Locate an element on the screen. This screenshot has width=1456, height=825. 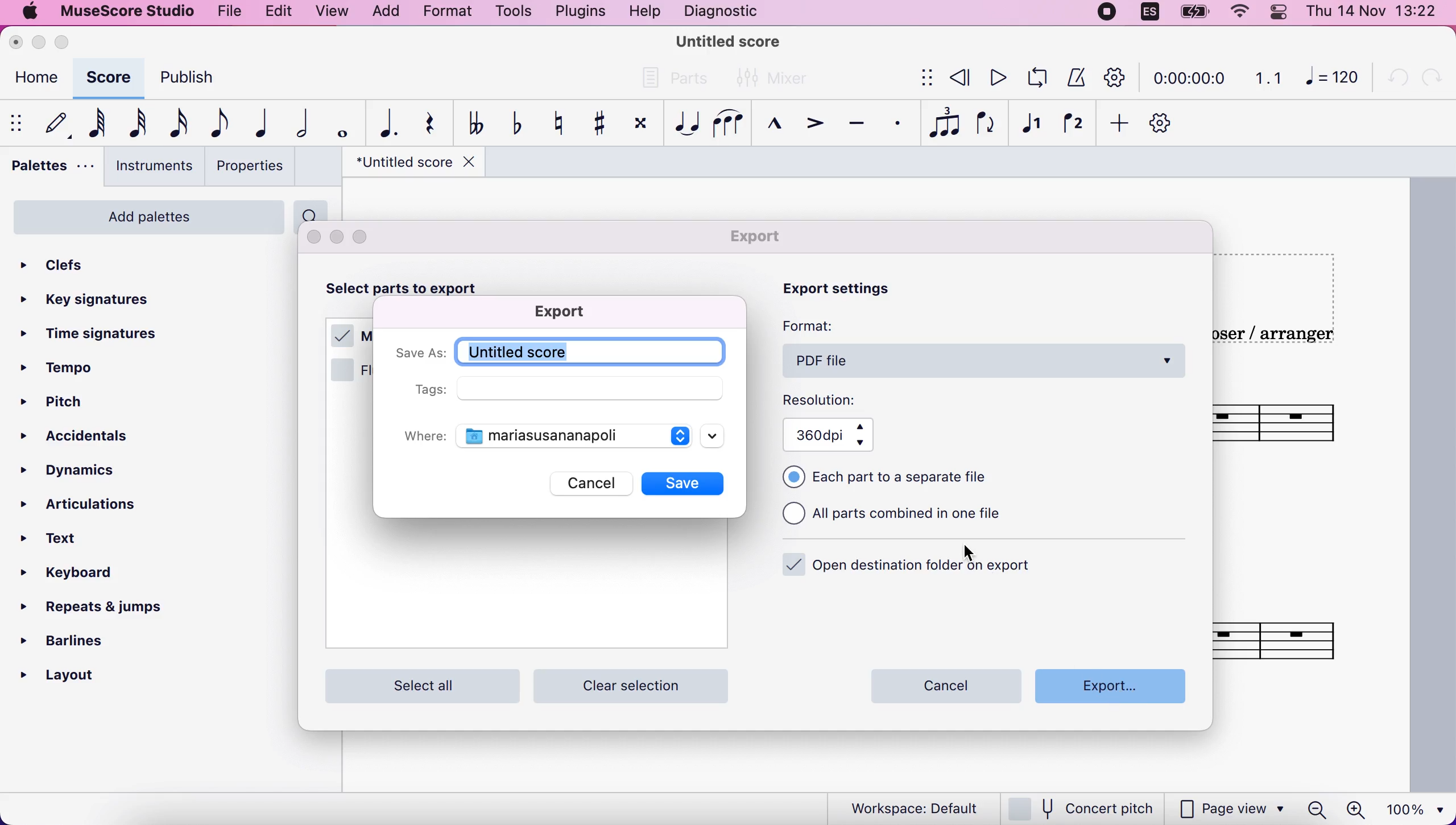
scroll is located at coordinates (715, 436).